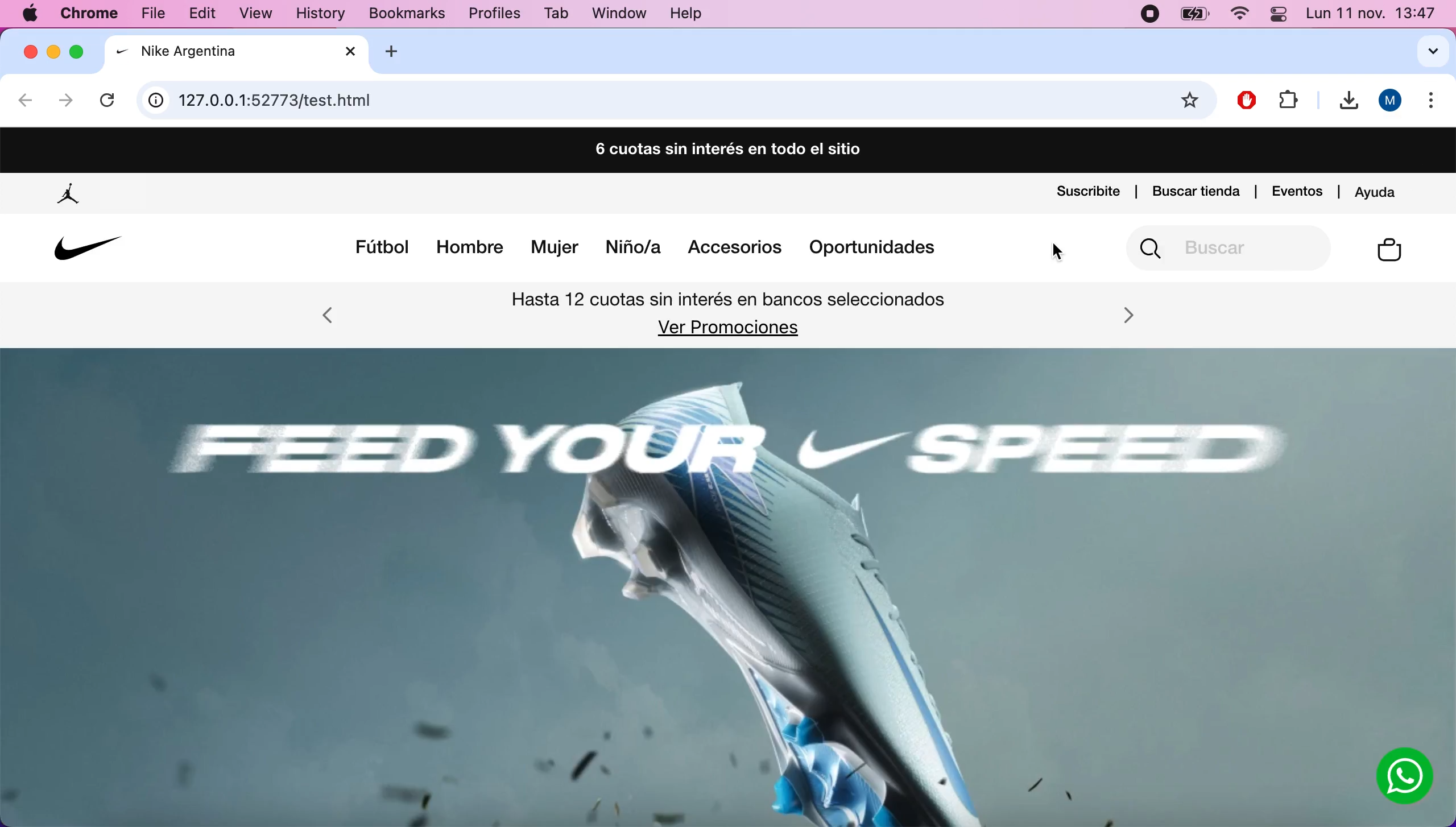 The height and width of the screenshot is (827, 1456). I want to click on file, so click(158, 13).